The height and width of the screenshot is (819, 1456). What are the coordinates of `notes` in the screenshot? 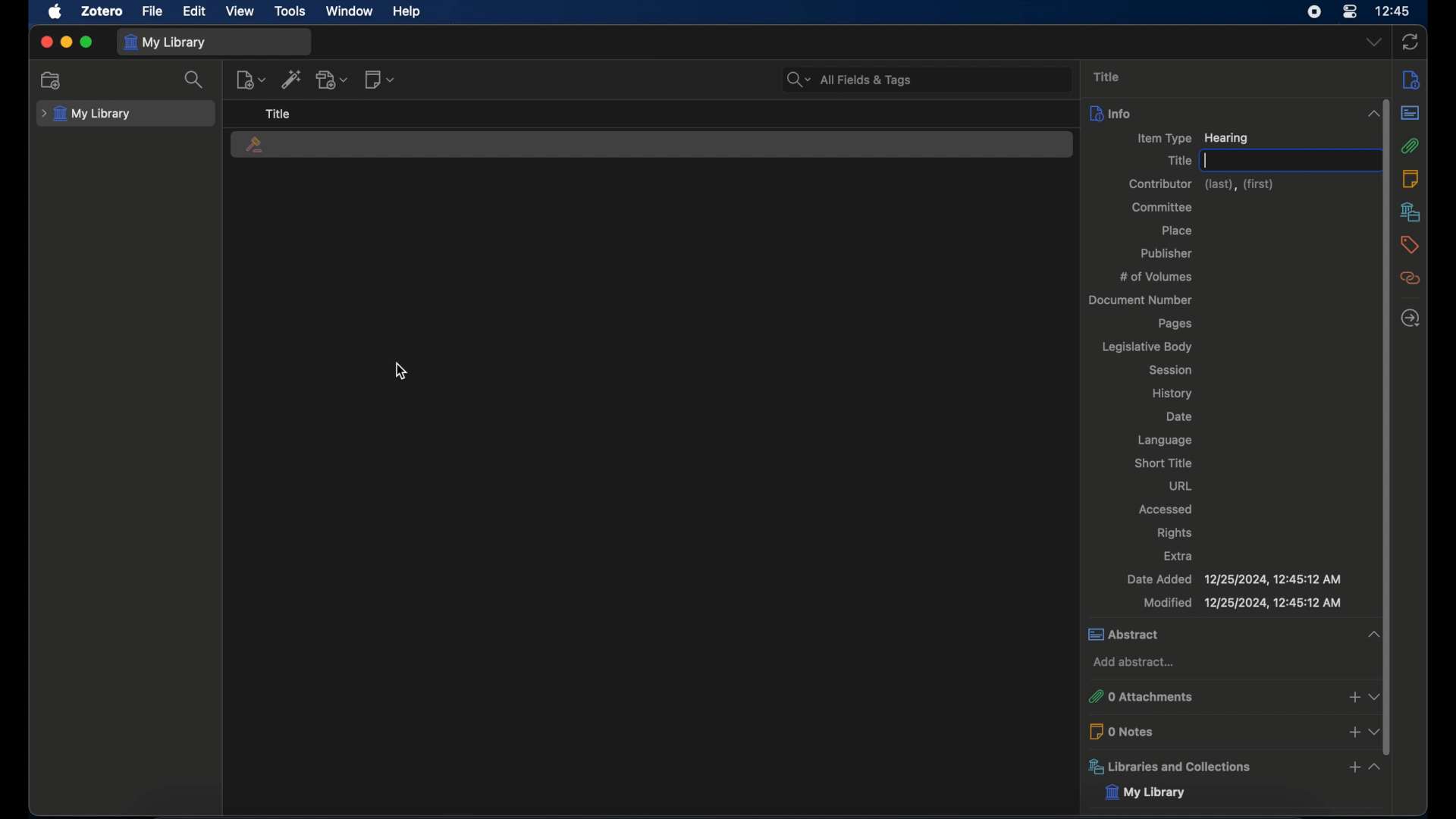 It's located at (1410, 179).